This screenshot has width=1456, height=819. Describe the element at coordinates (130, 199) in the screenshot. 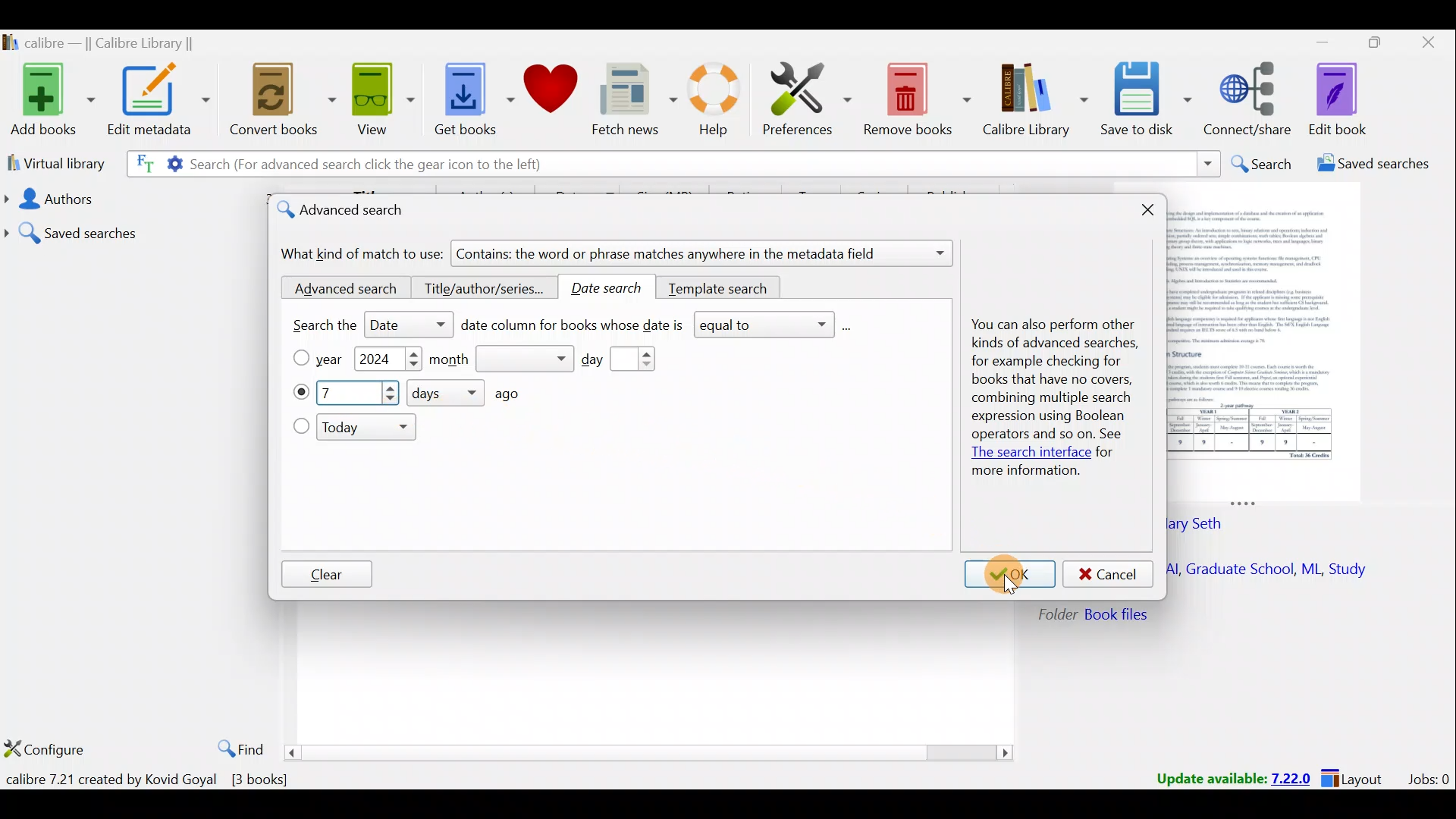

I see `Authors` at that location.